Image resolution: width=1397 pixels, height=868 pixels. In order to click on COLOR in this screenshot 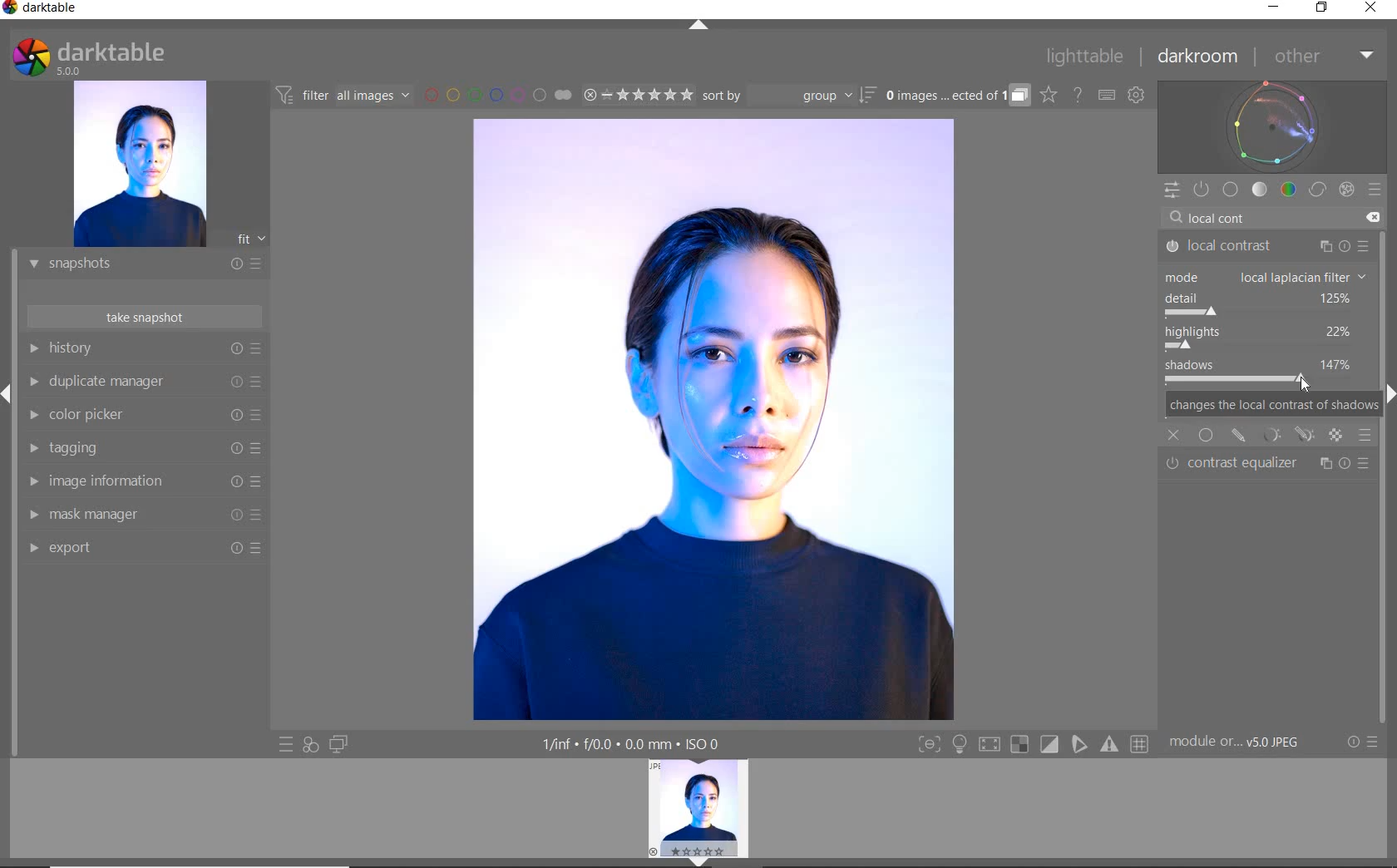, I will do `click(1289, 189)`.